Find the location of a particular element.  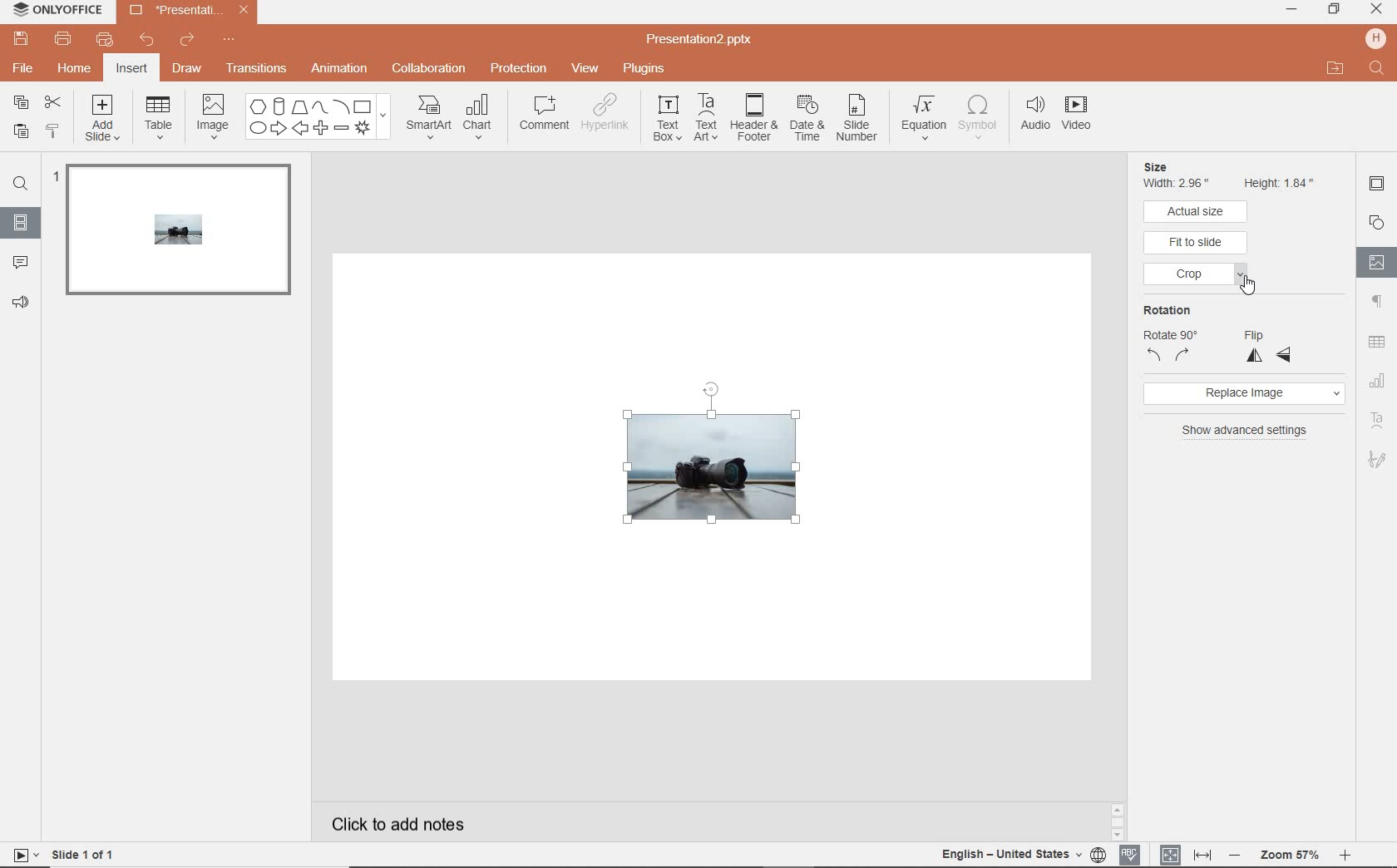

open file location is located at coordinates (1335, 69).